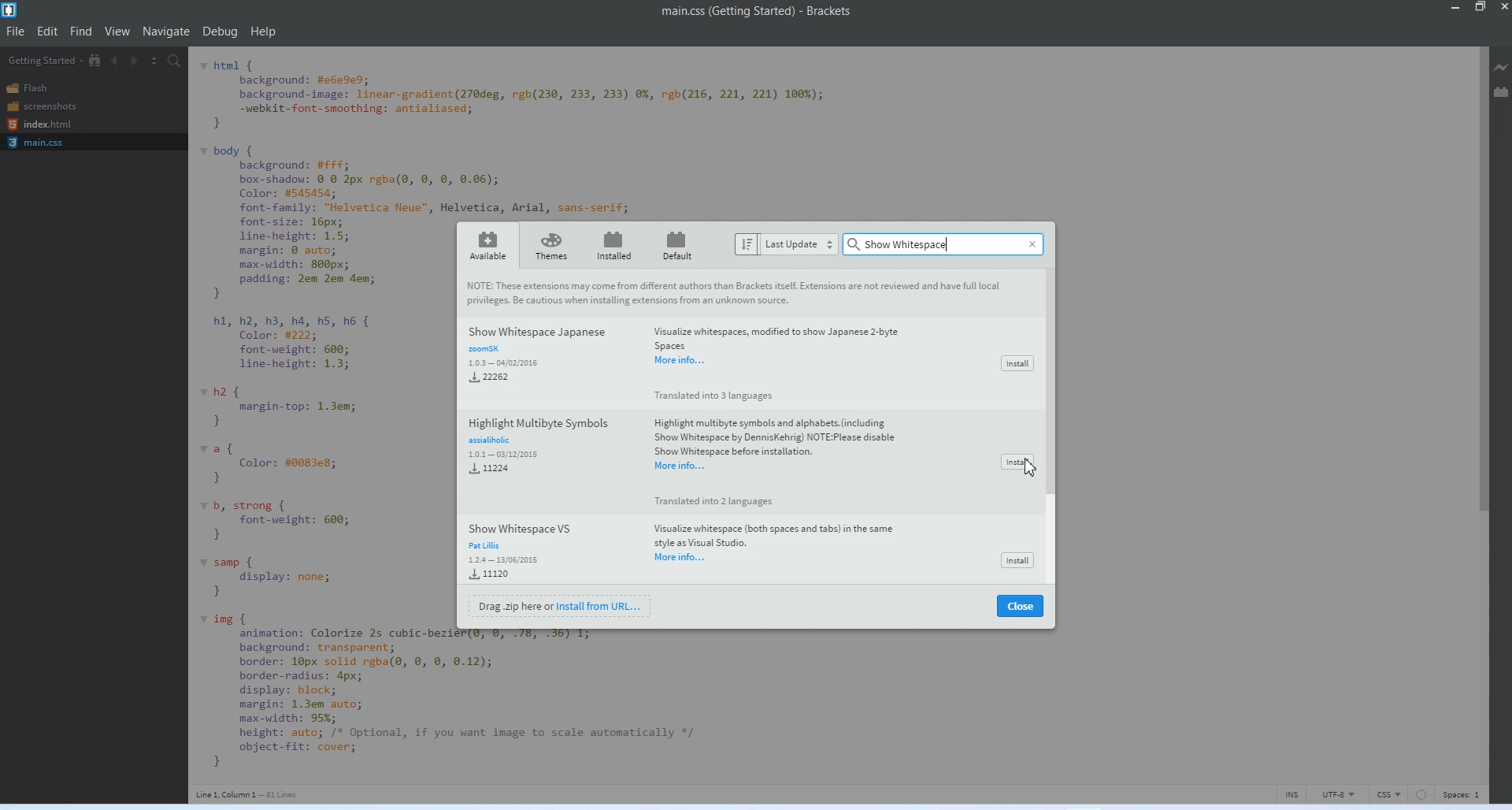  Describe the element at coordinates (1051, 426) in the screenshot. I see `Vertical Scroll Bar` at that location.